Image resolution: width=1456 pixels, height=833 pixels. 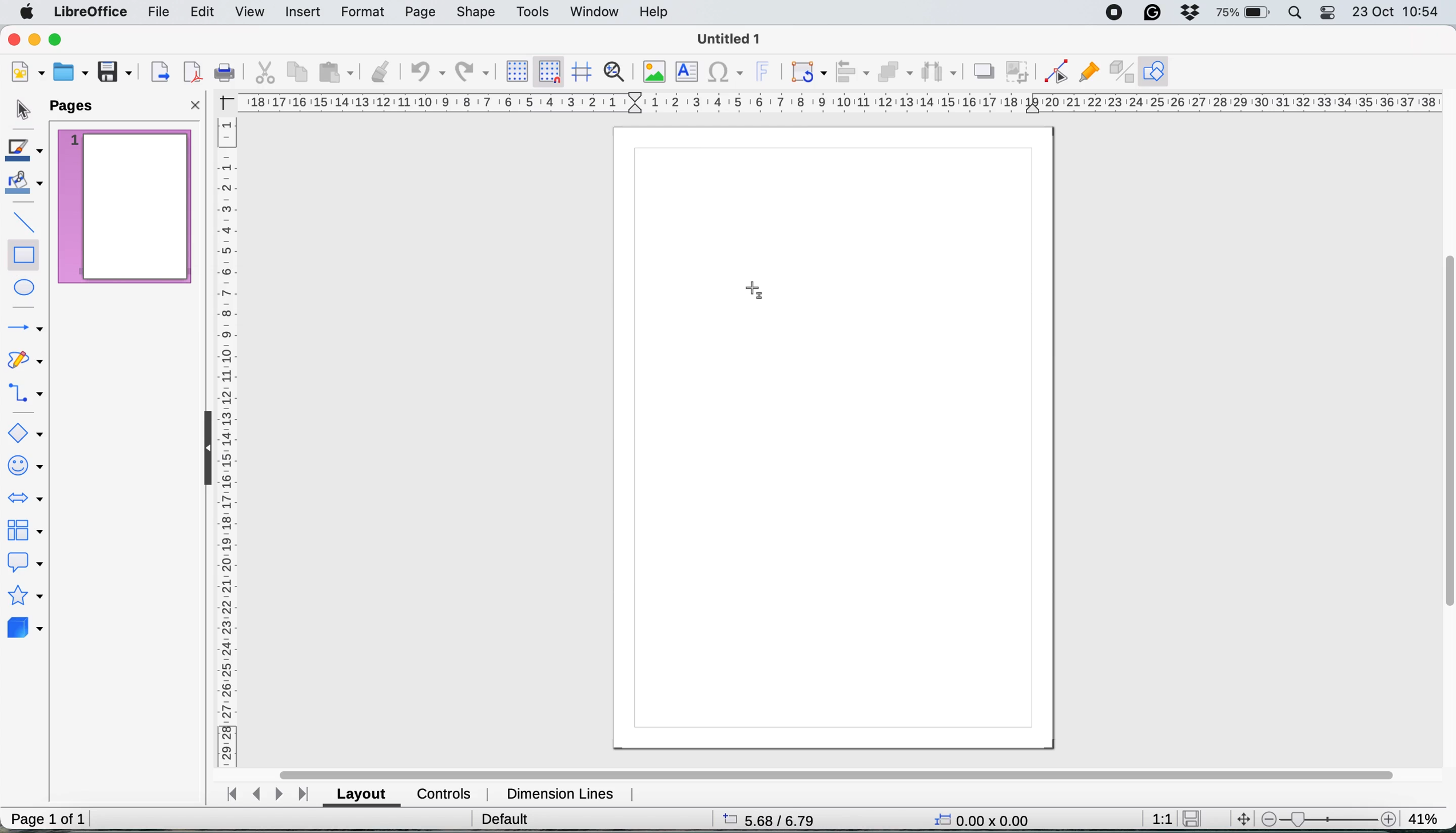 What do you see at coordinates (1245, 13) in the screenshot?
I see `battery` at bounding box center [1245, 13].